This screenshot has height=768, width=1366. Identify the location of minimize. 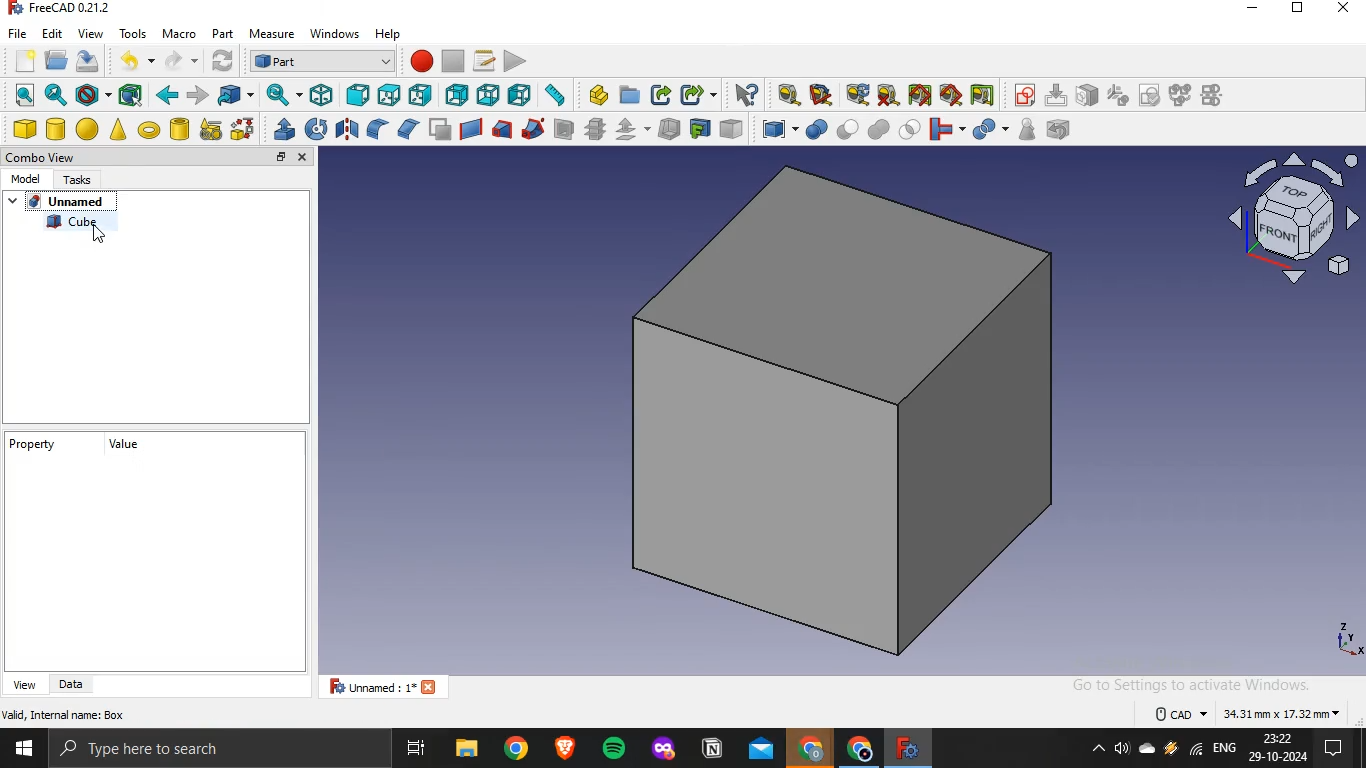
(1252, 9).